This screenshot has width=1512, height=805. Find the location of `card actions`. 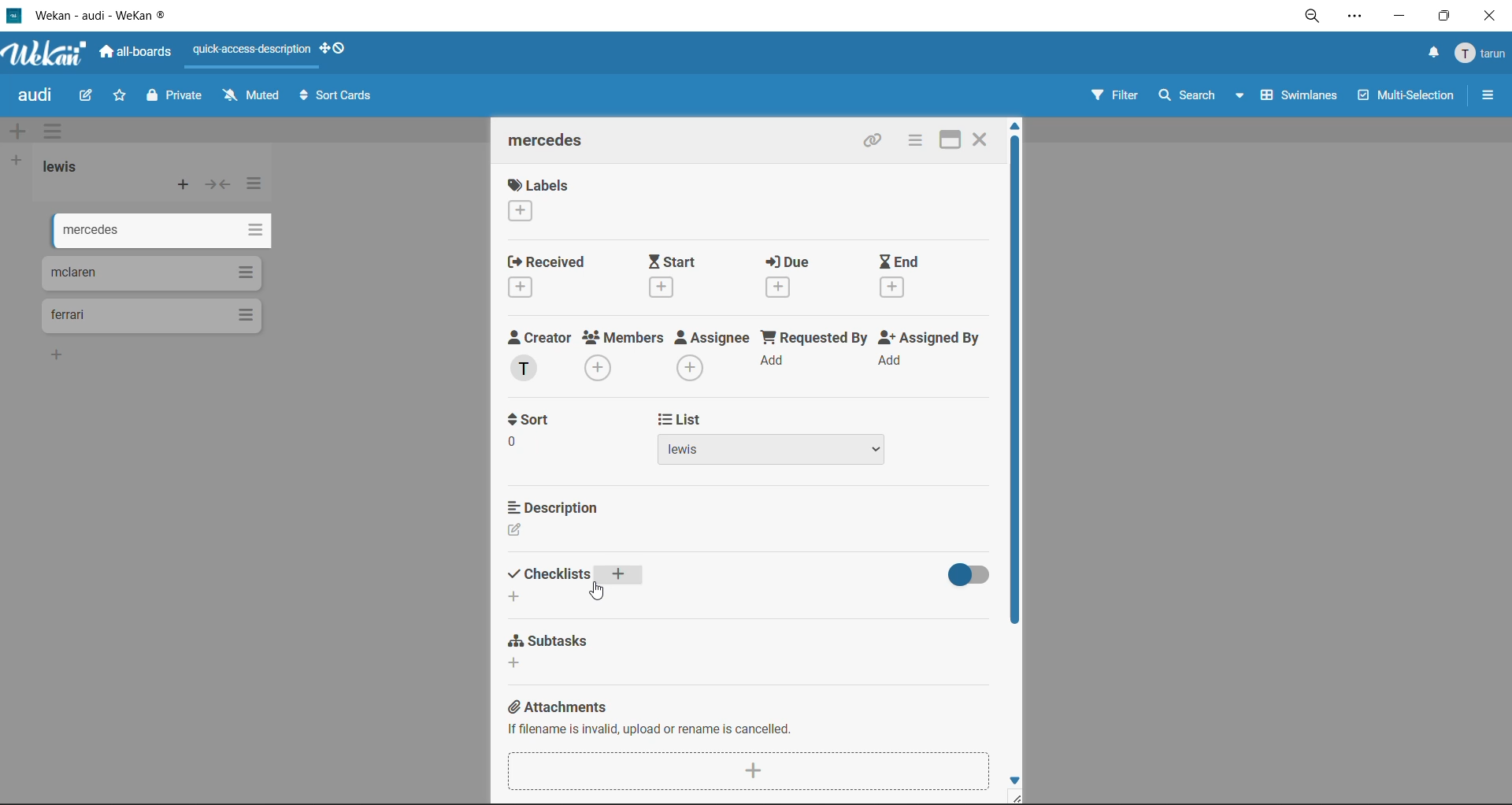

card actions is located at coordinates (911, 142).